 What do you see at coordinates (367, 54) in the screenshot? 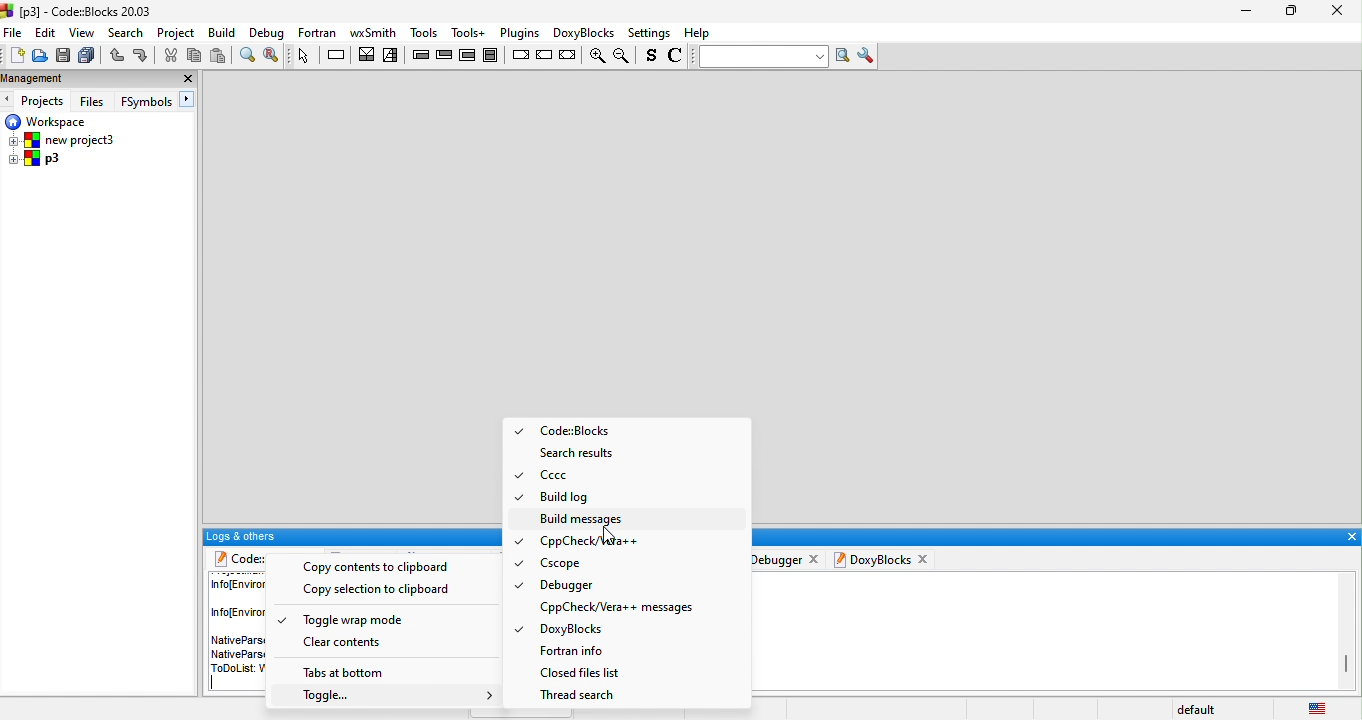
I see `decision` at bounding box center [367, 54].